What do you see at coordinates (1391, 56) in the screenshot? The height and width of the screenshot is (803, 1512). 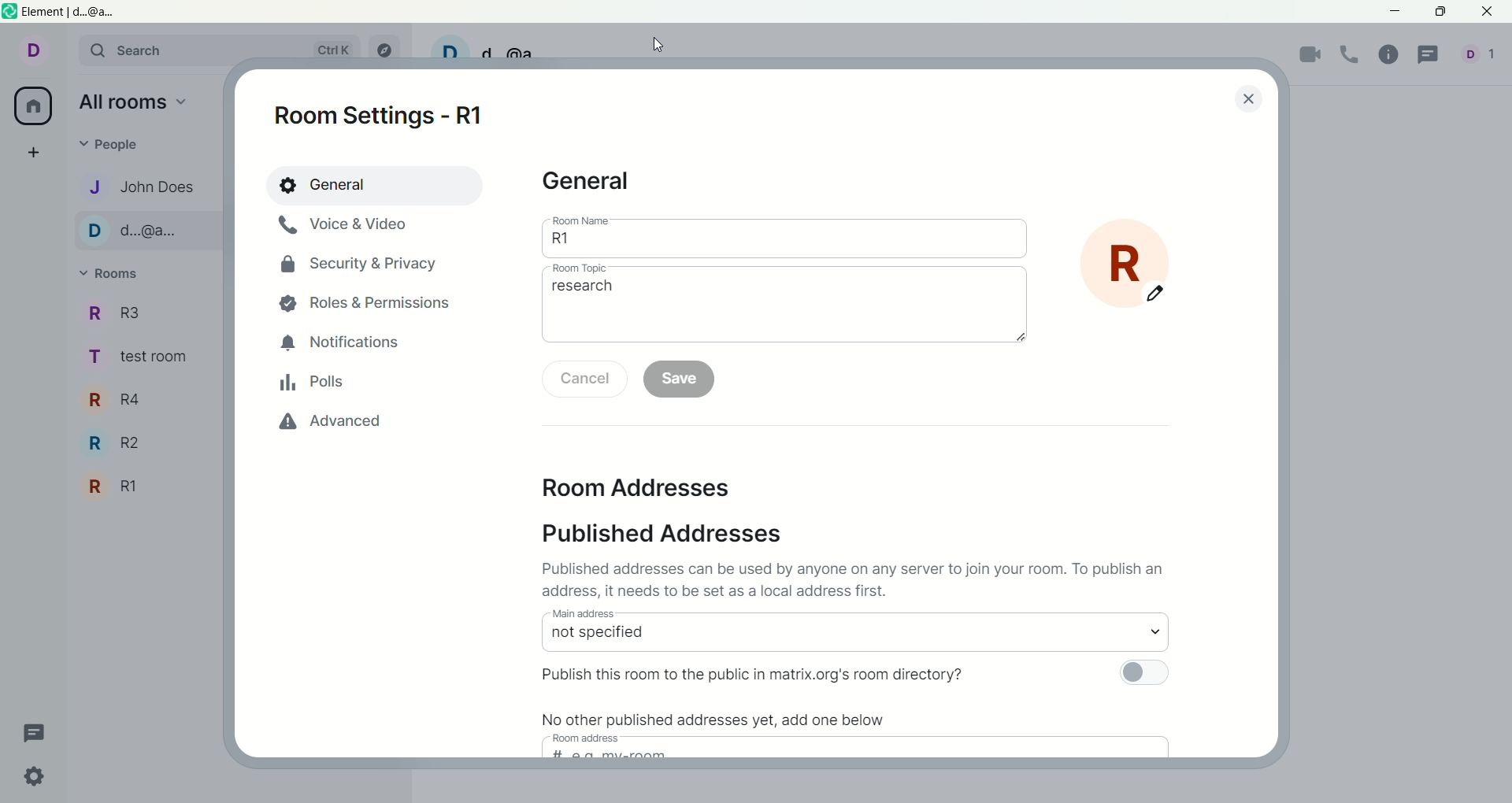 I see `room info` at bounding box center [1391, 56].